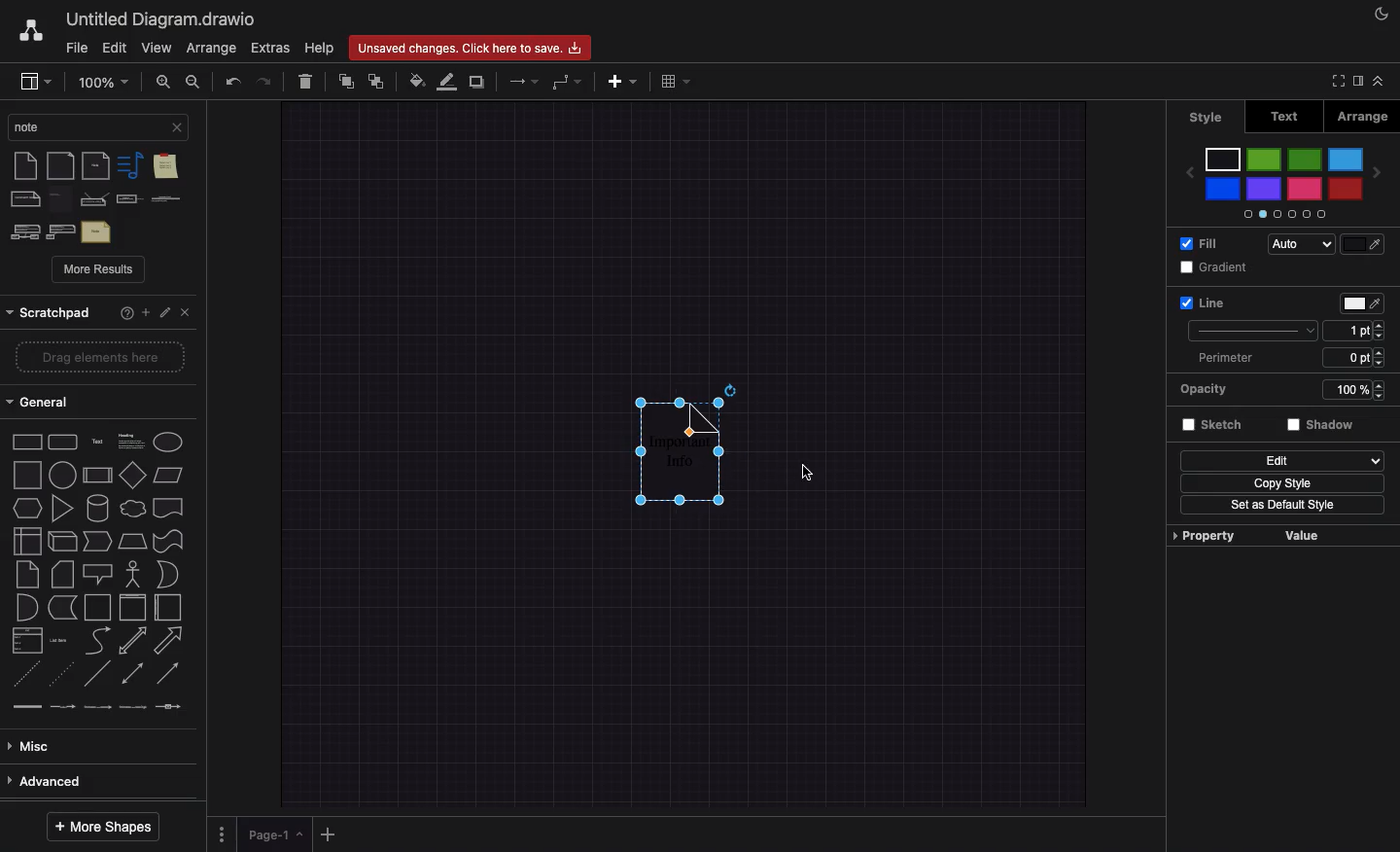  I want to click on edit opacity, so click(1339, 392).